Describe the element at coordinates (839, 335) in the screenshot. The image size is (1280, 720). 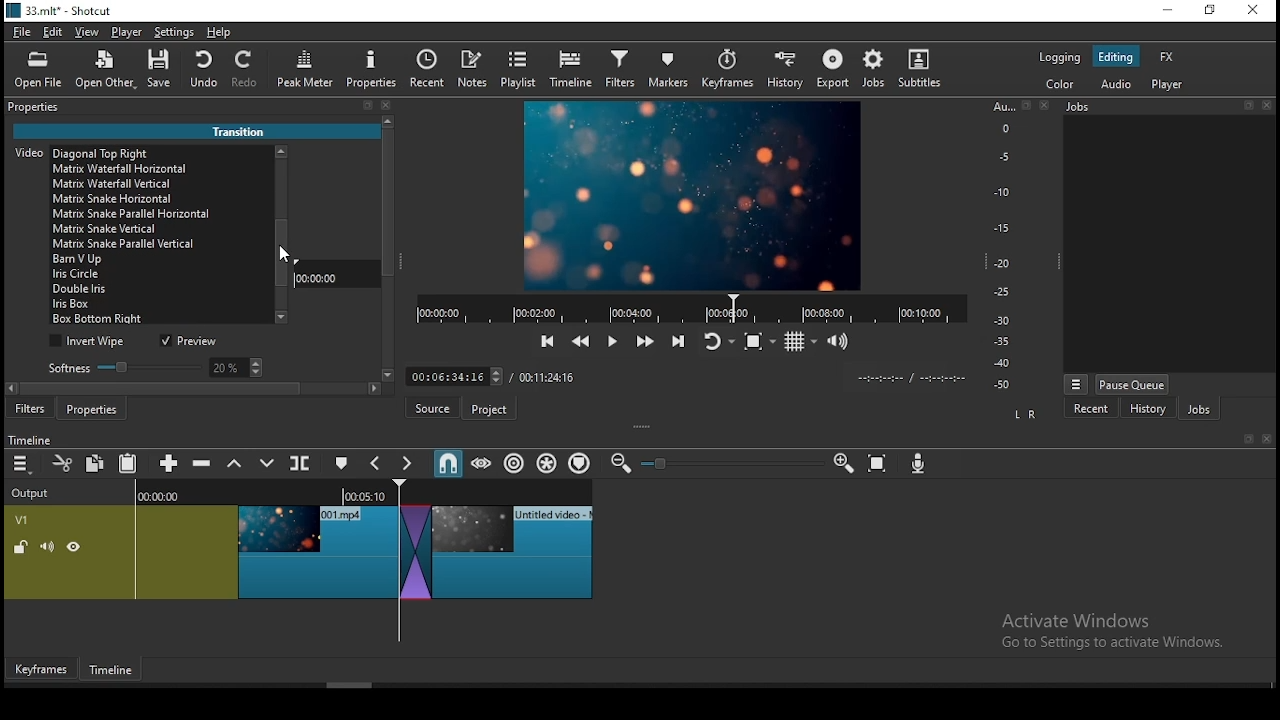
I see `show video volume control` at that location.